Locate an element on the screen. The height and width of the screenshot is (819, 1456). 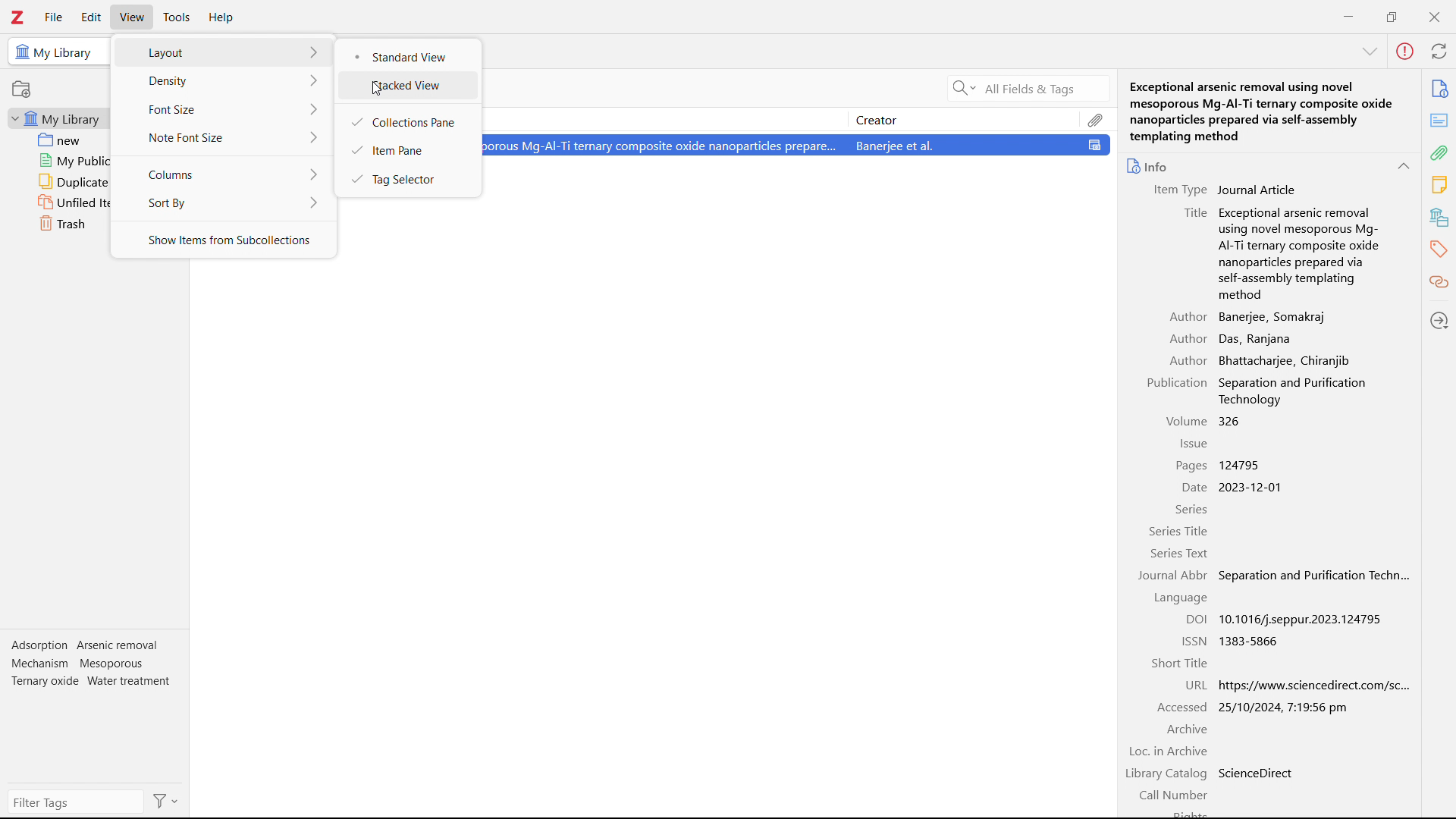
Exceptional arsenic removal using novel mesoporous Mg-Al-Ti temary composite oxide nanoparticles prepare... Banerjee et al. is located at coordinates (799, 145).